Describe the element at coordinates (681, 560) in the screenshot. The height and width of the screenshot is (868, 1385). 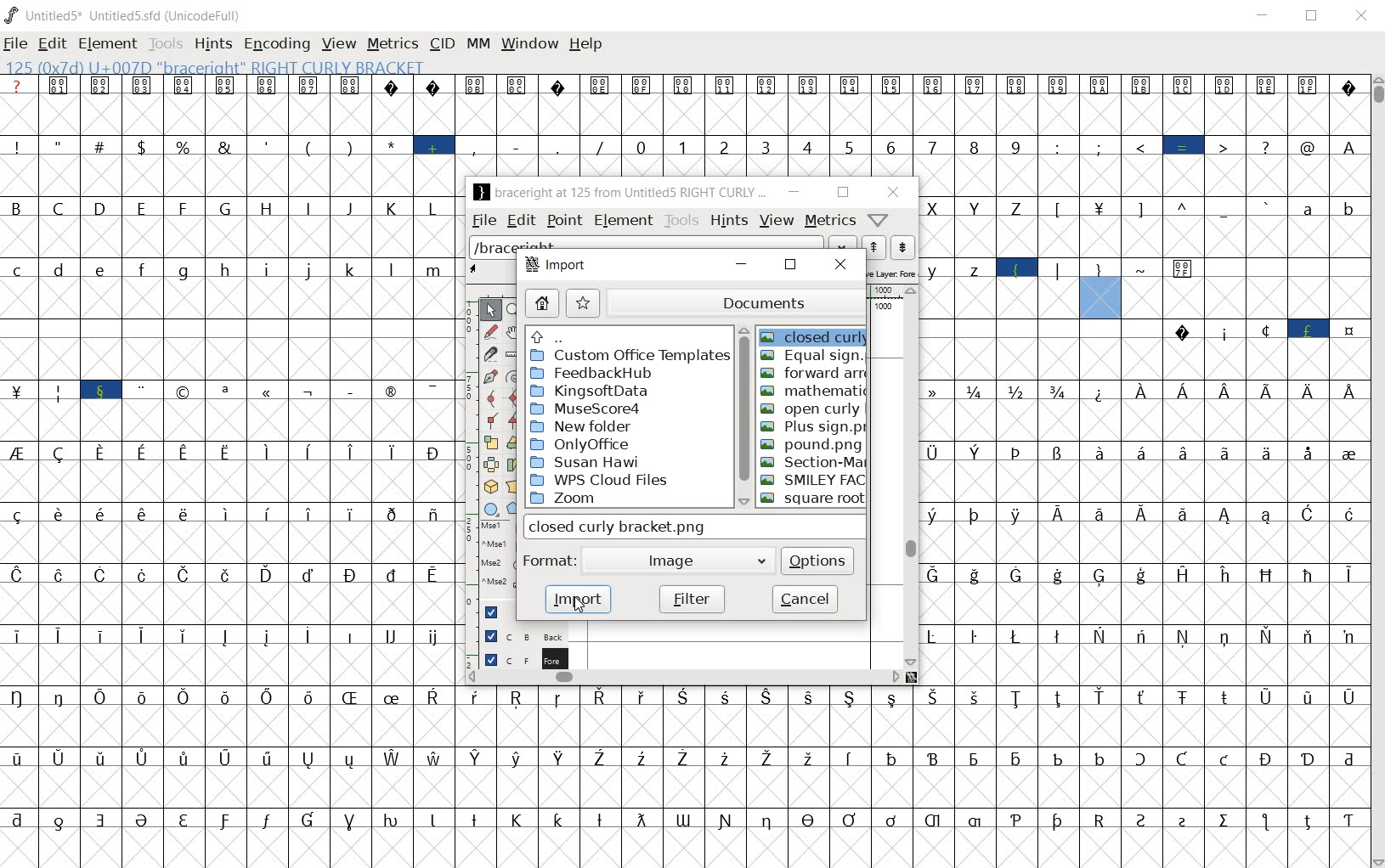
I see `image` at that location.